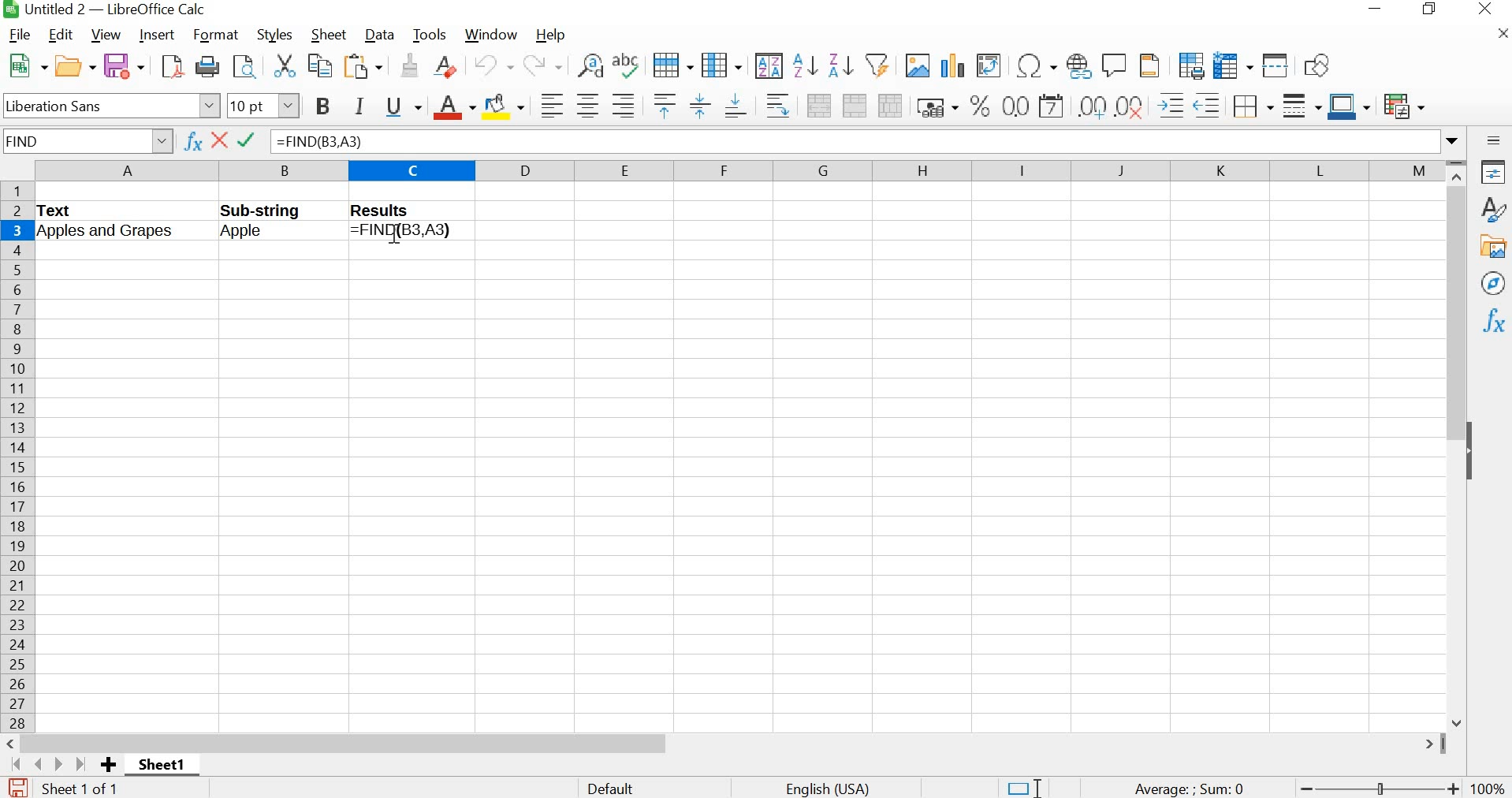 This screenshot has width=1512, height=798. Describe the element at coordinates (954, 63) in the screenshot. I see `insert chart` at that location.